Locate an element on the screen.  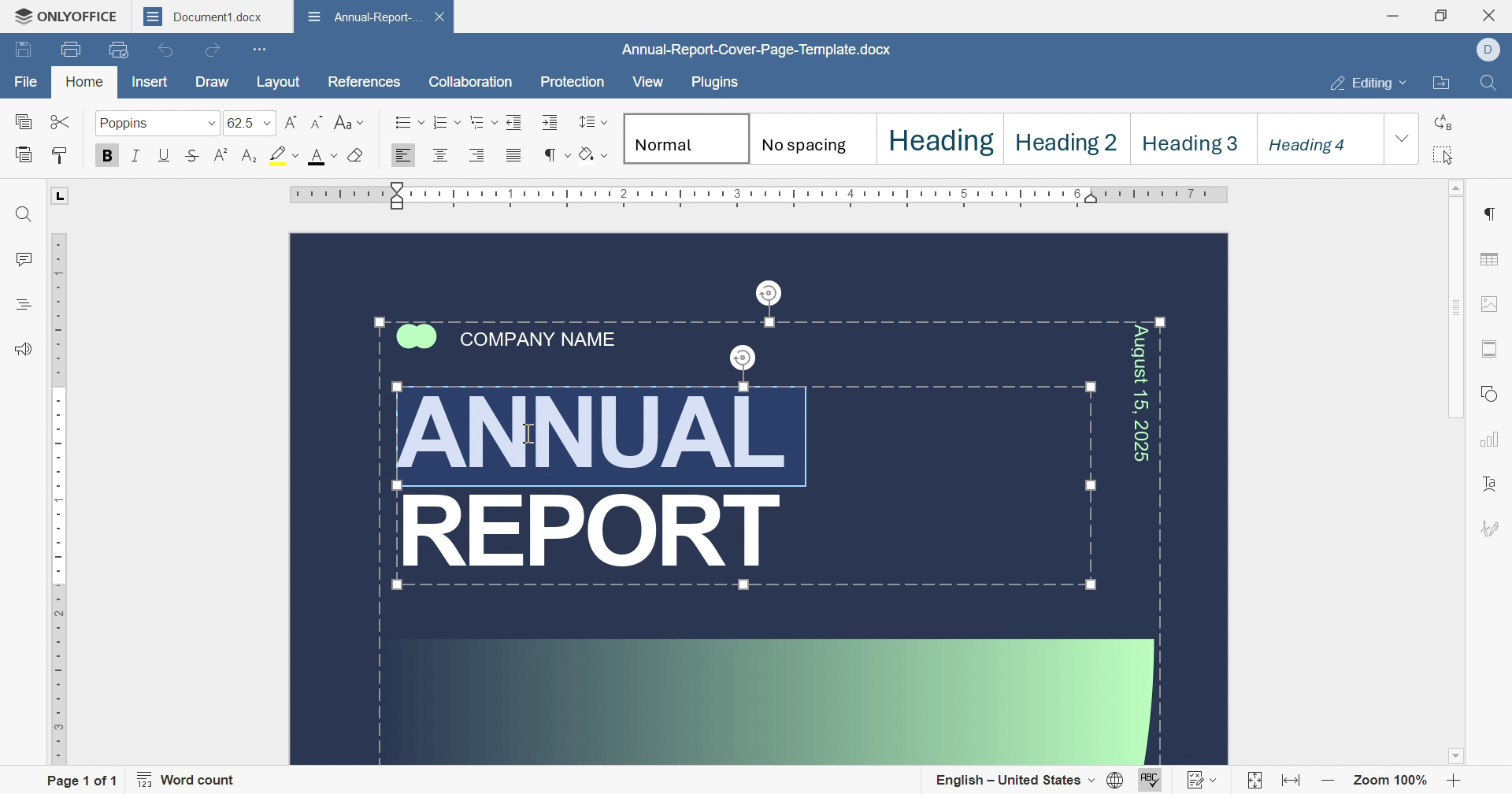
typing cursor is located at coordinates (523, 433).